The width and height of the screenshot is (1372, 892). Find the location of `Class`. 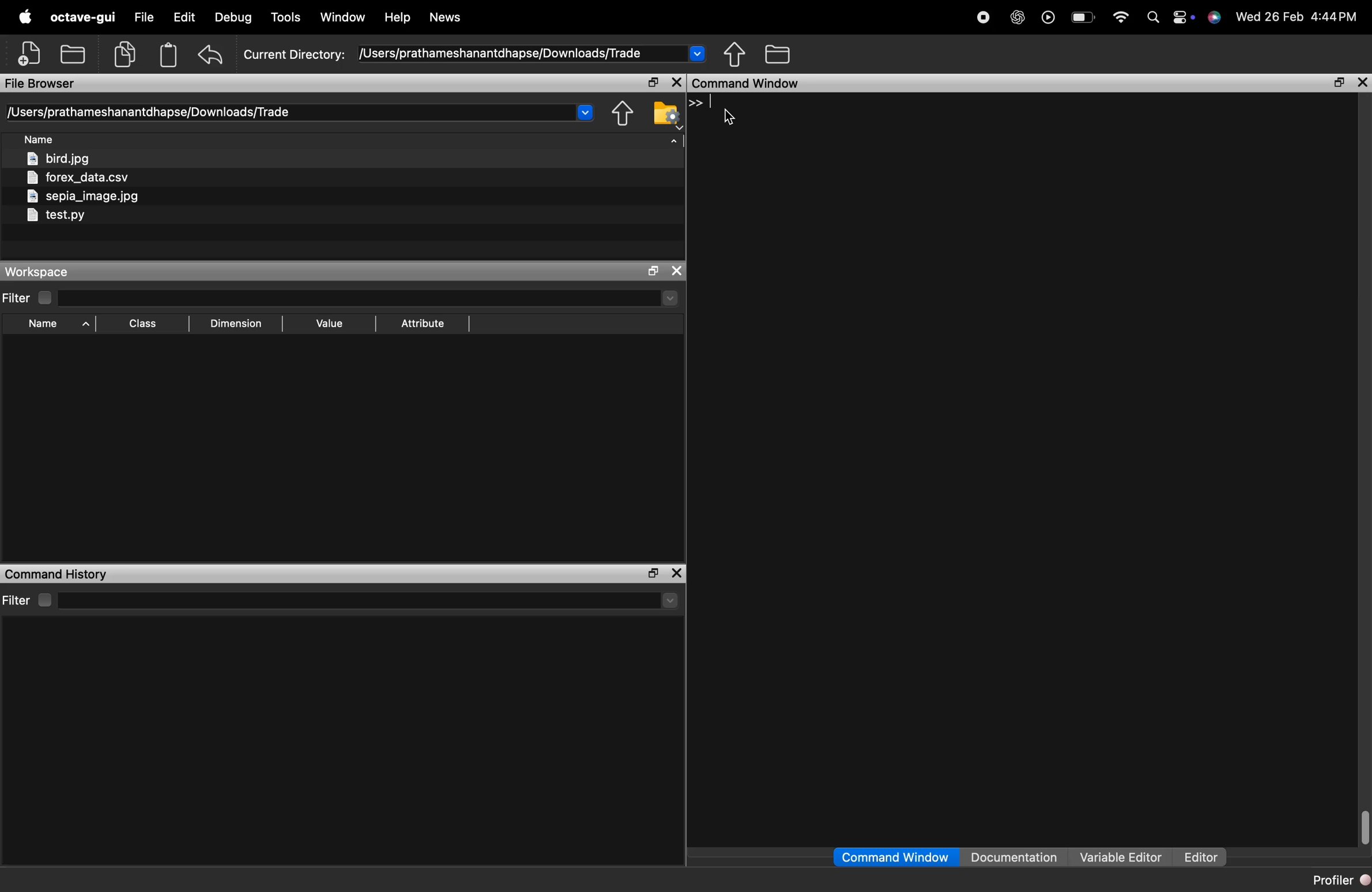

Class is located at coordinates (142, 323).